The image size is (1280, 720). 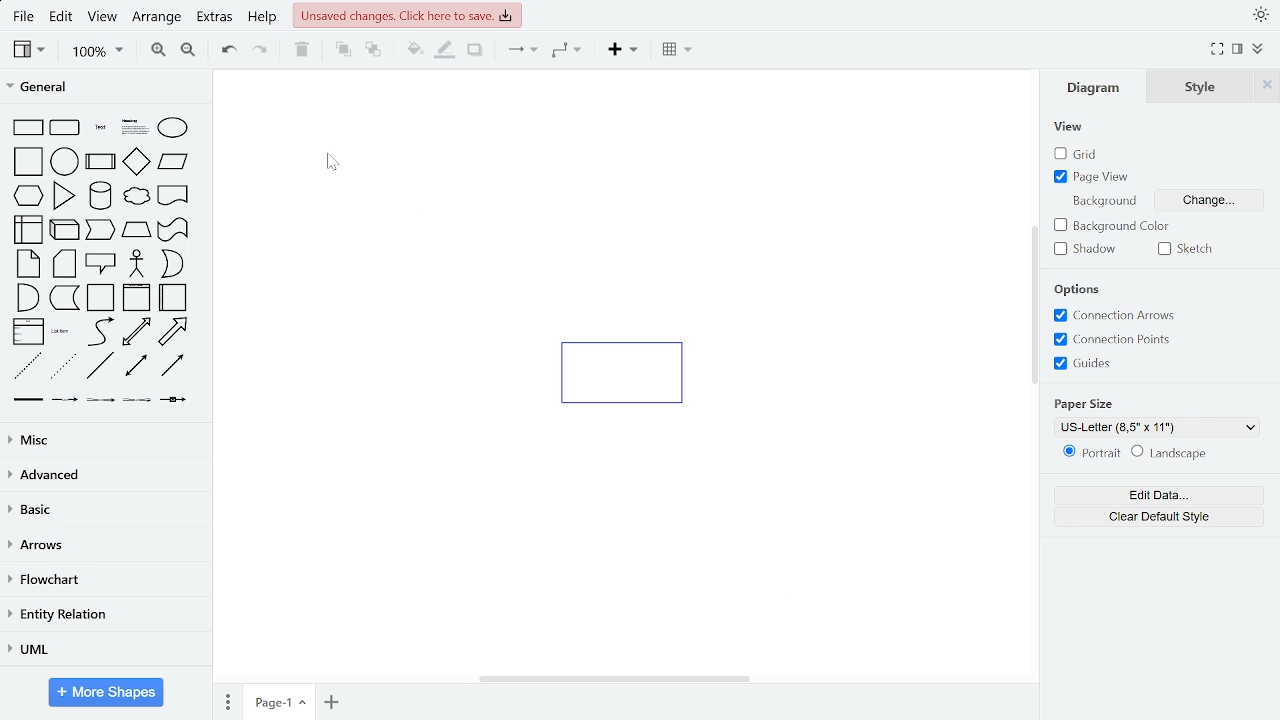 What do you see at coordinates (330, 165) in the screenshot?
I see `Cursor` at bounding box center [330, 165].